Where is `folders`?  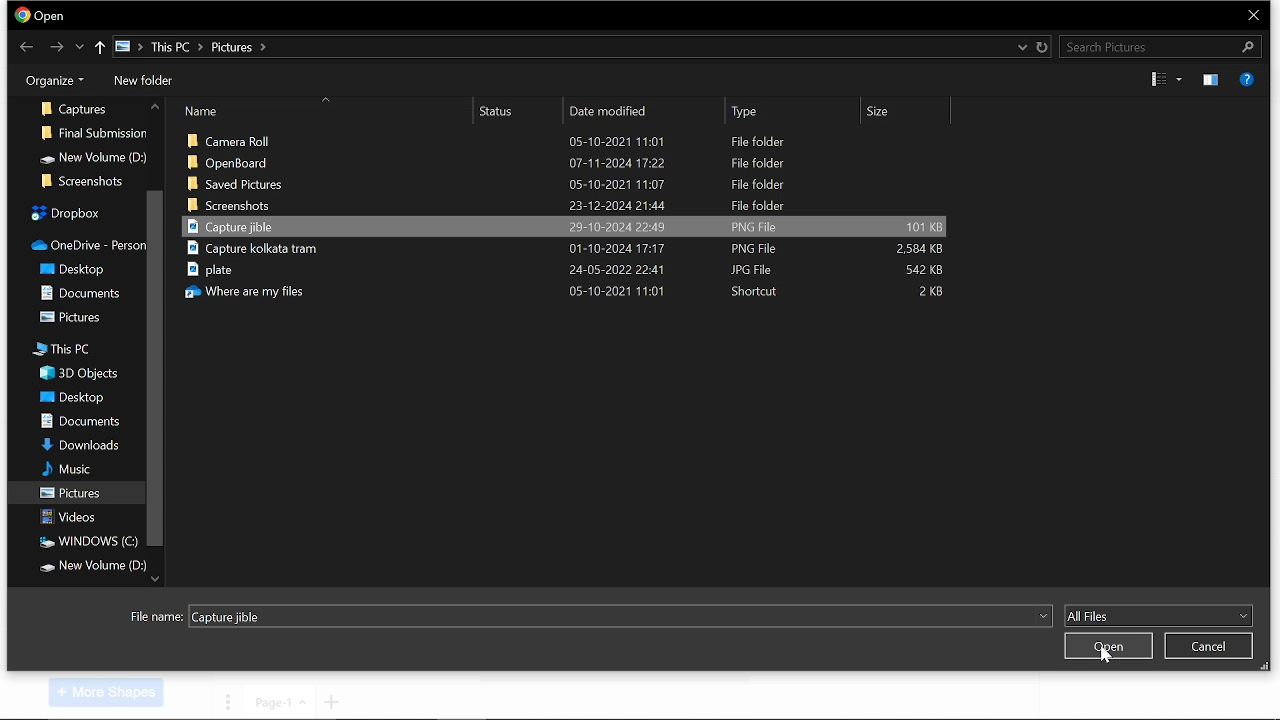
folders is located at coordinates (76, 517).